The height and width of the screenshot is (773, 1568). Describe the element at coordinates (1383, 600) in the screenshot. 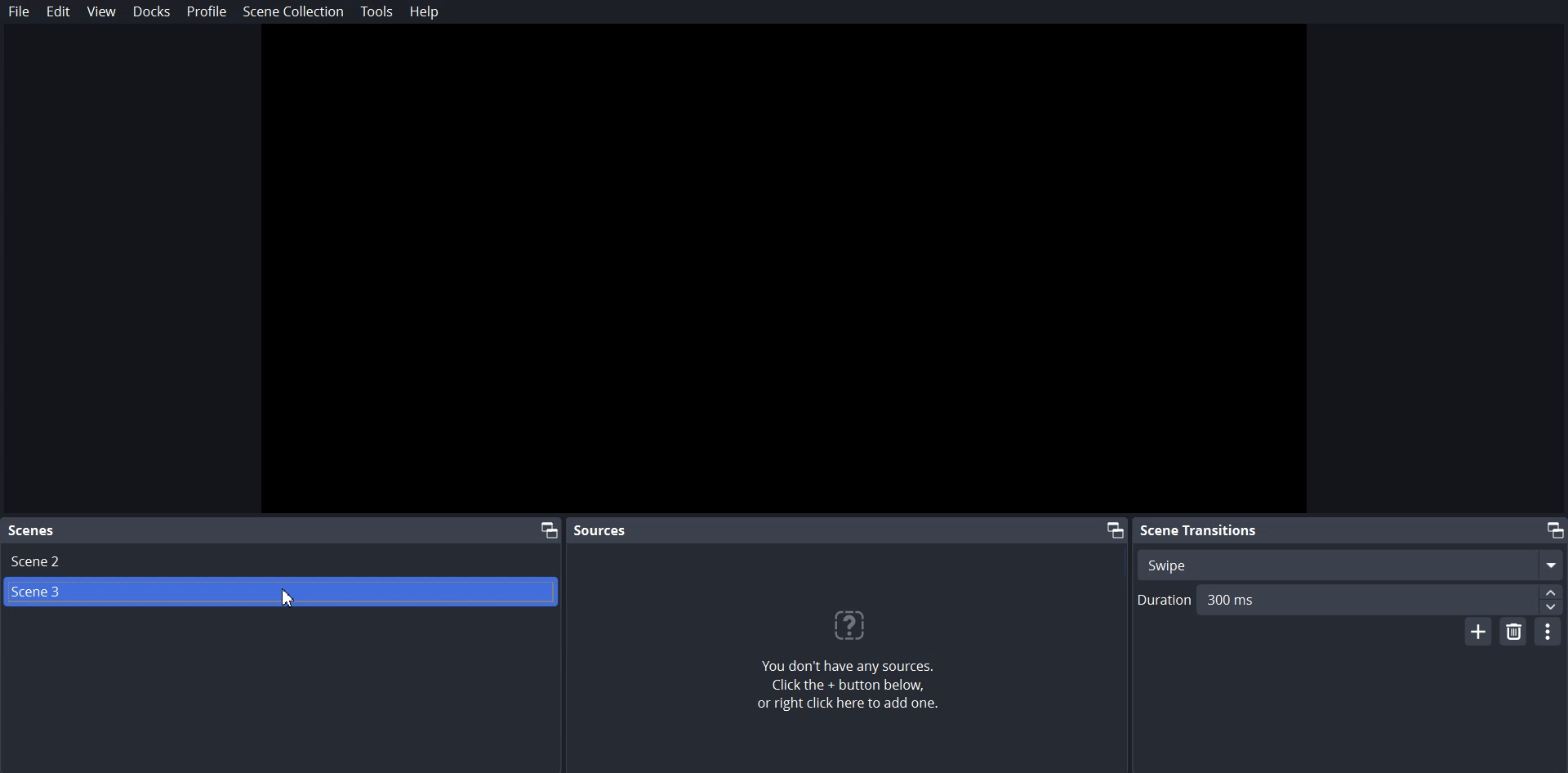

I see `300ms` at that location.